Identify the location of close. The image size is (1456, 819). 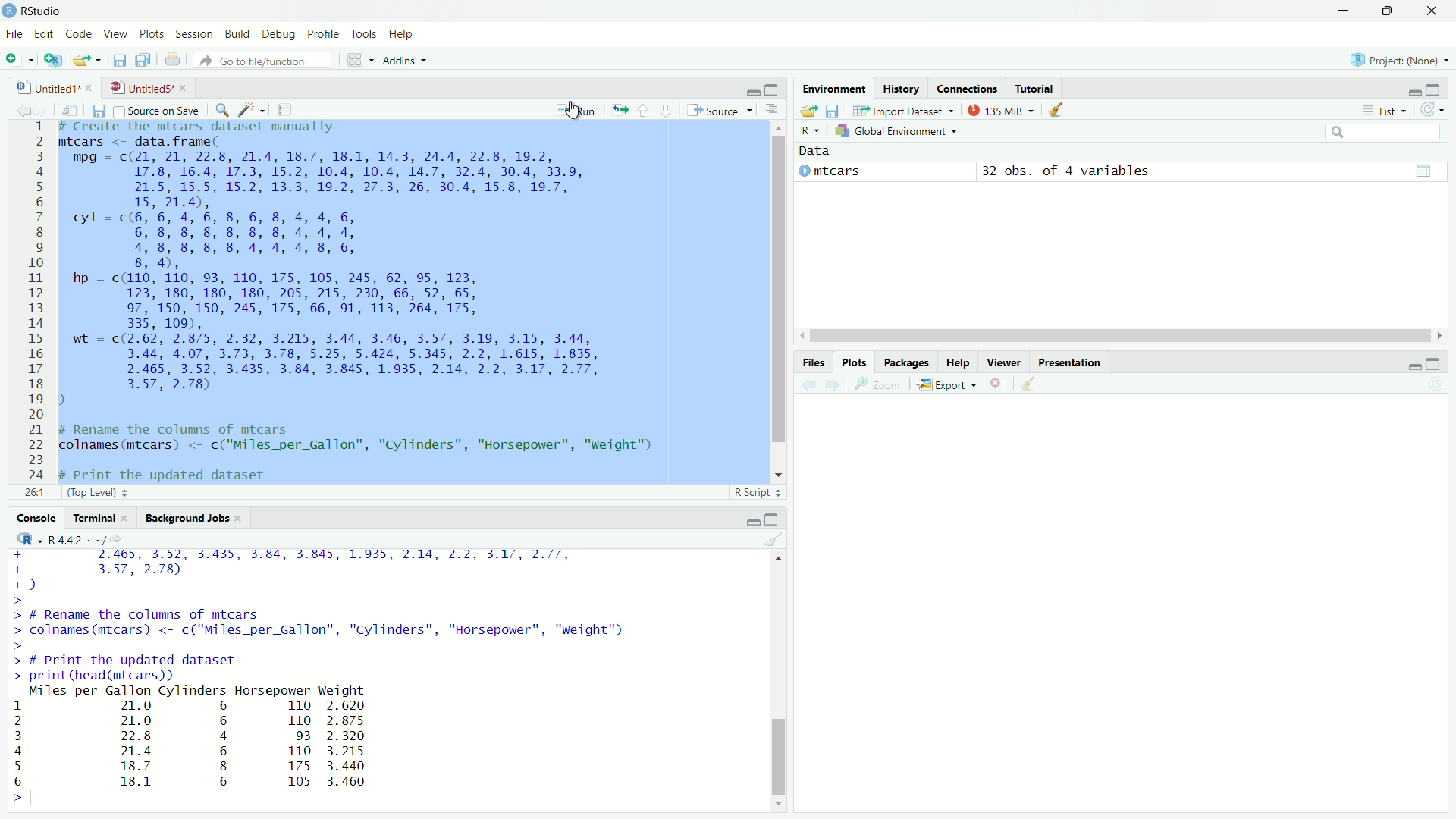
(1430, 10).